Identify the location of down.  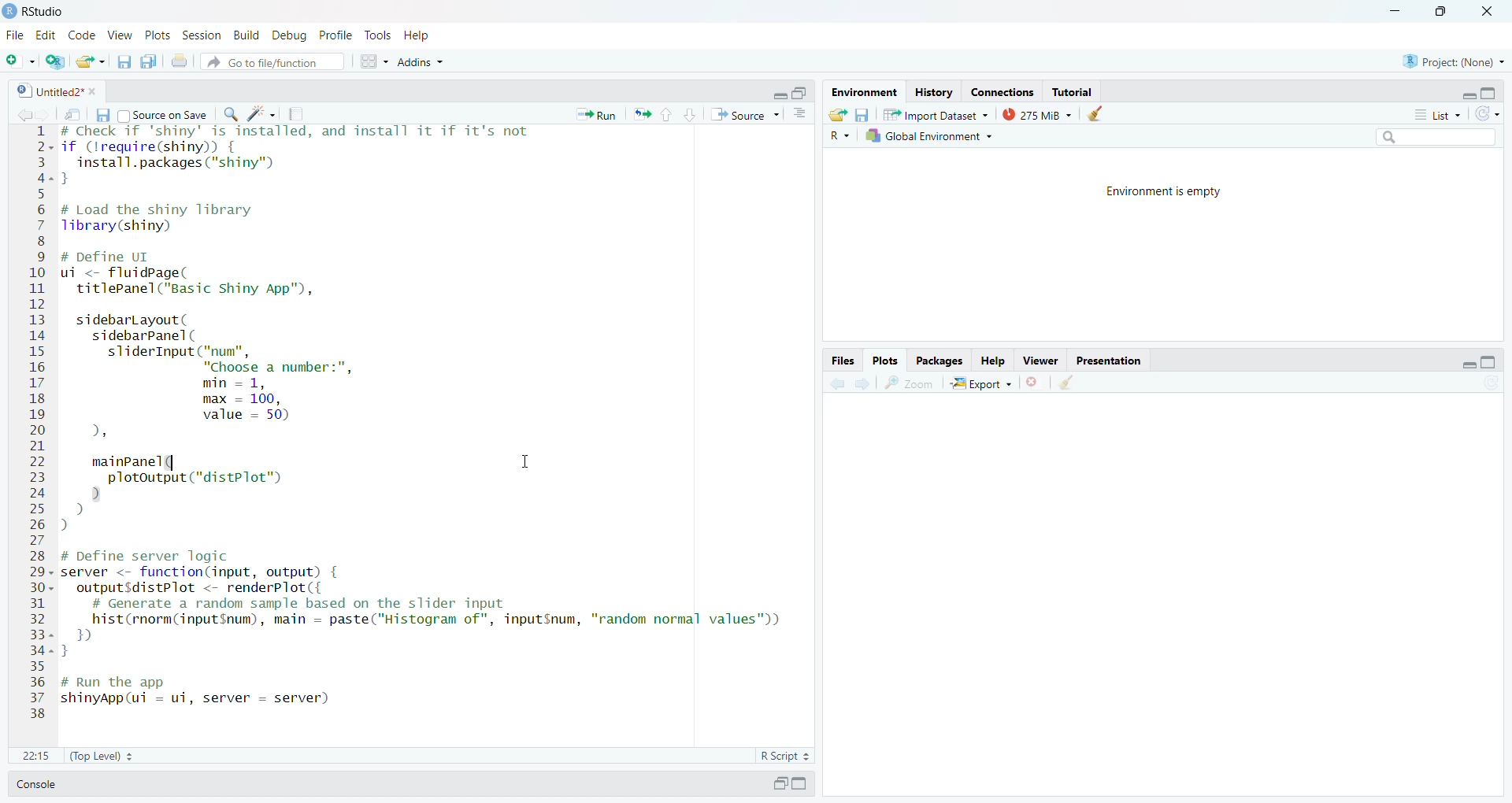
(691, 115).